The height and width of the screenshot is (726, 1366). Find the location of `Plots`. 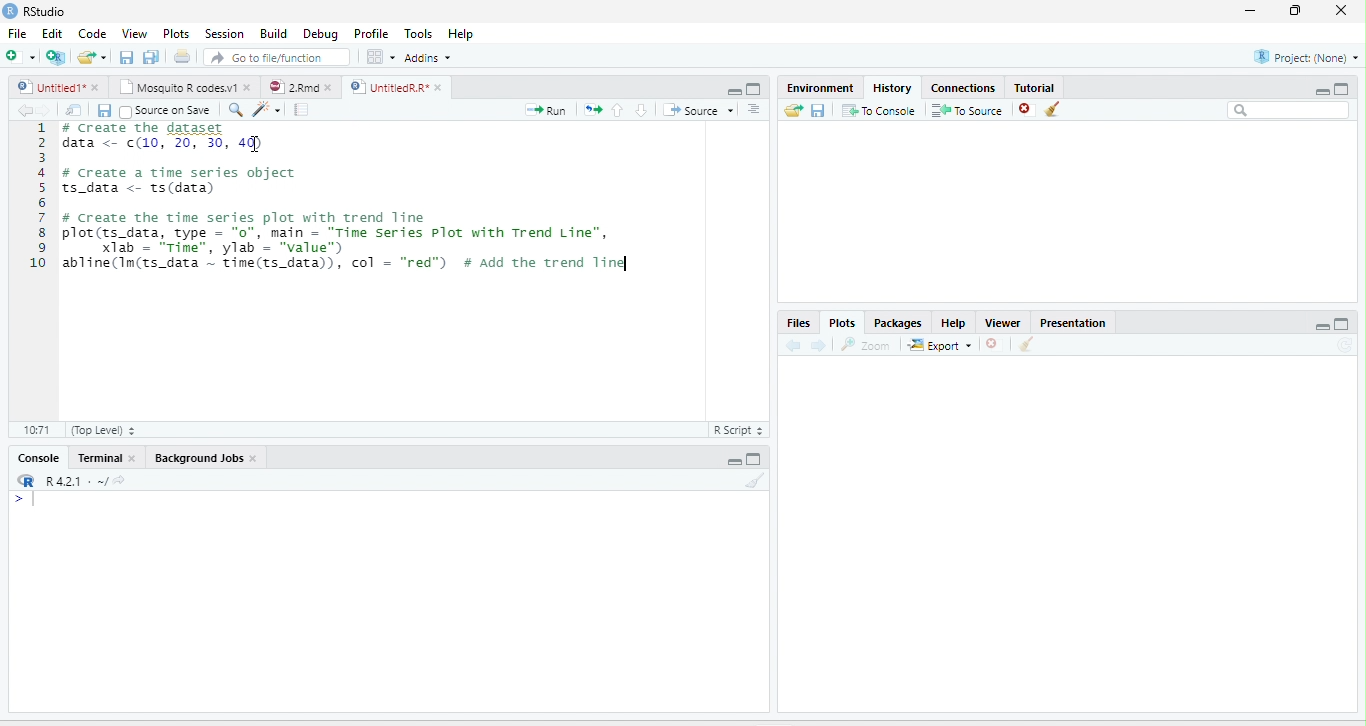

Plots is located at coordinates (841, 323).